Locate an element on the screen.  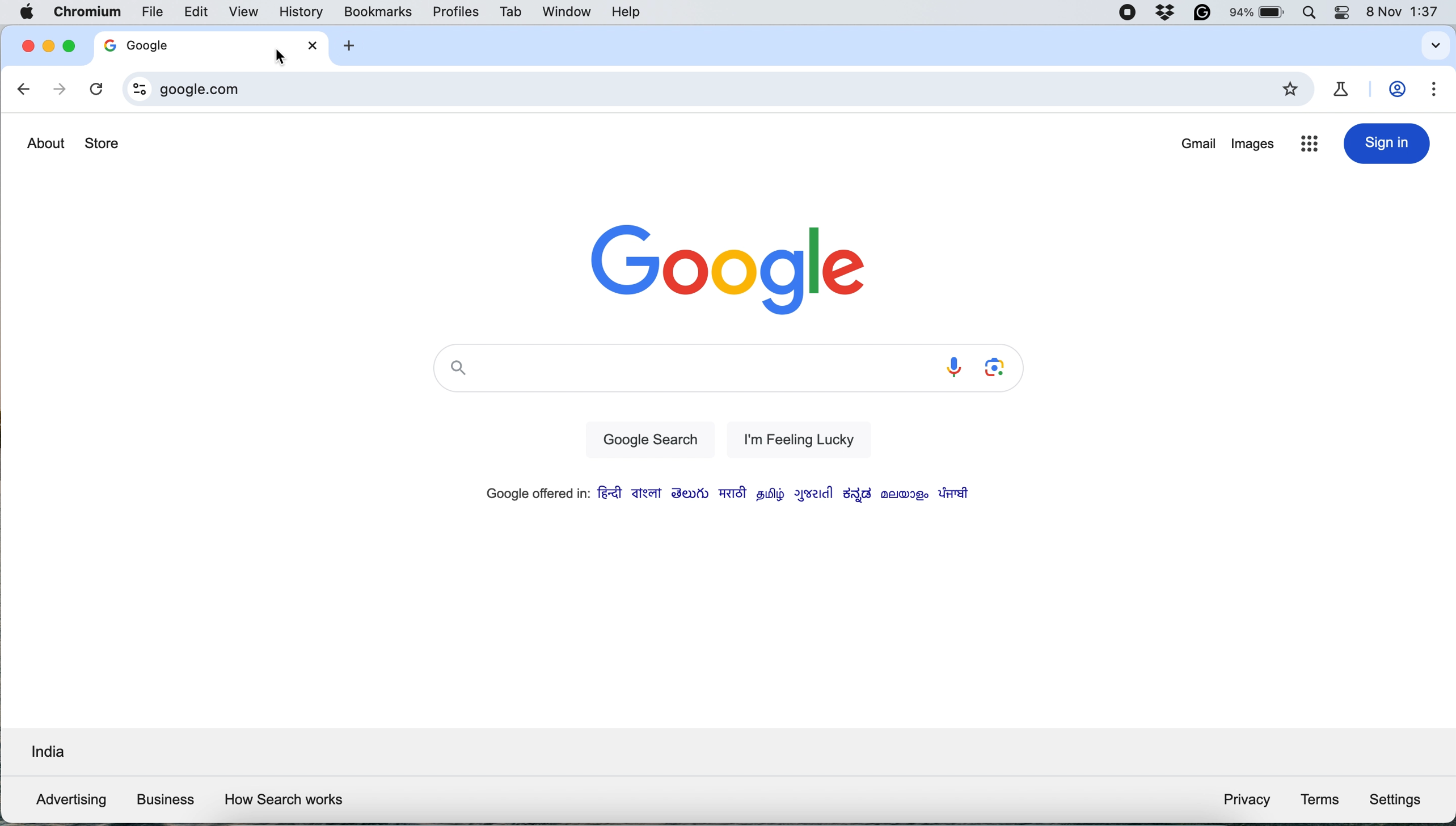
edit is located at coordinates (197, 12).